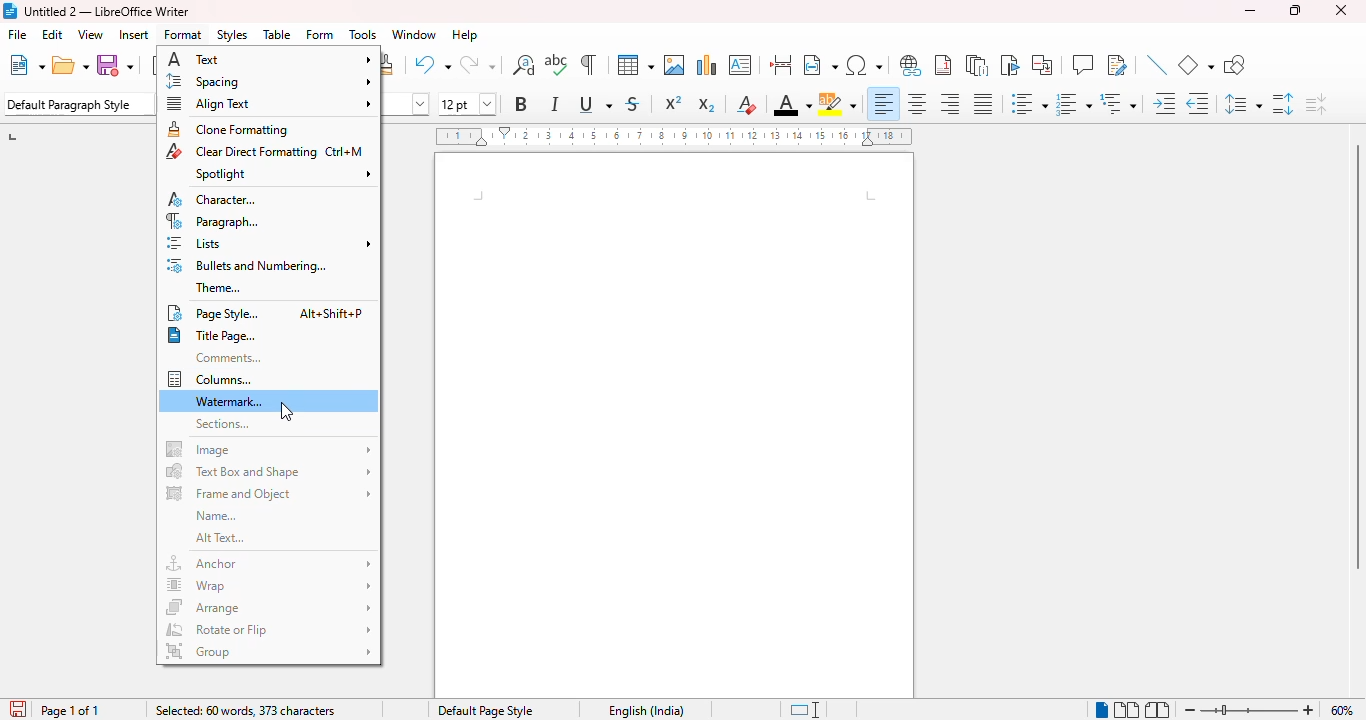 This screenshot has width=1366, height=720. What do you see at coordinates (269, 471) in the screenshot?
I see `text box and shape` at bounding box center [269, 471].